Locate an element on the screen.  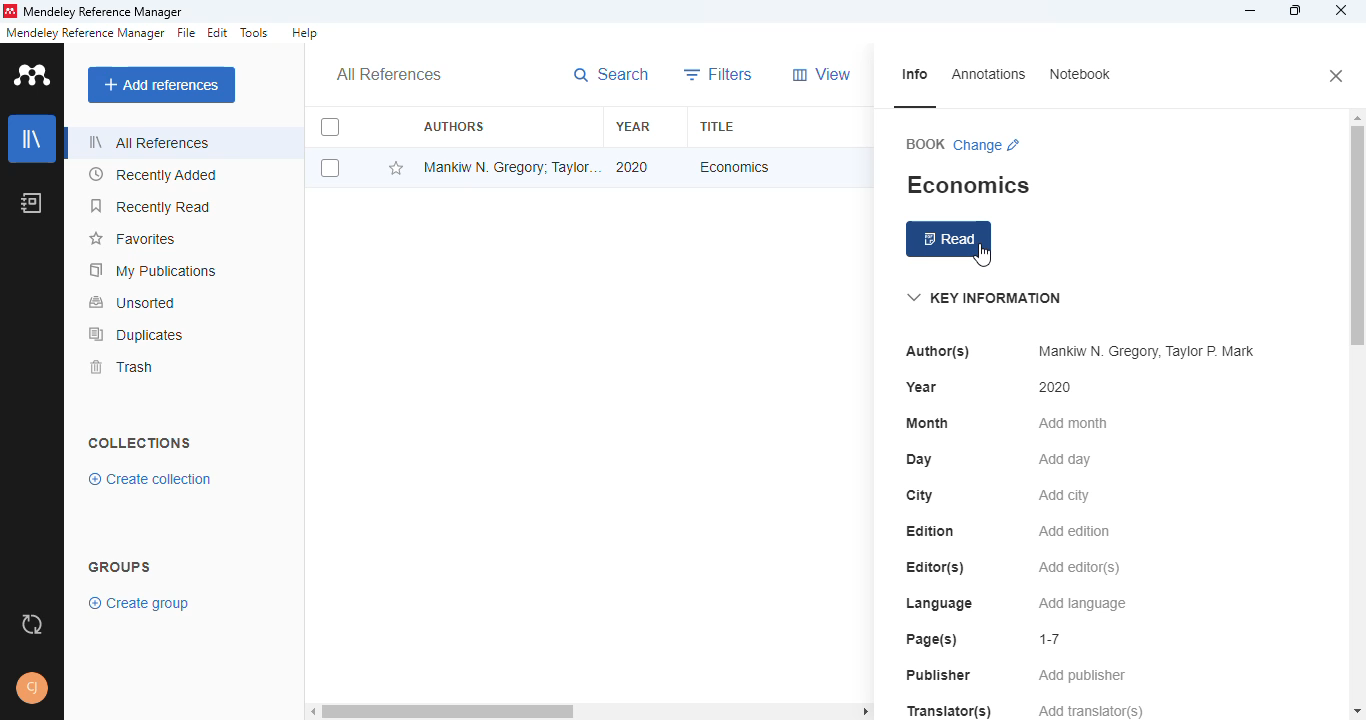
create collection is located at coordinates (149, 481).